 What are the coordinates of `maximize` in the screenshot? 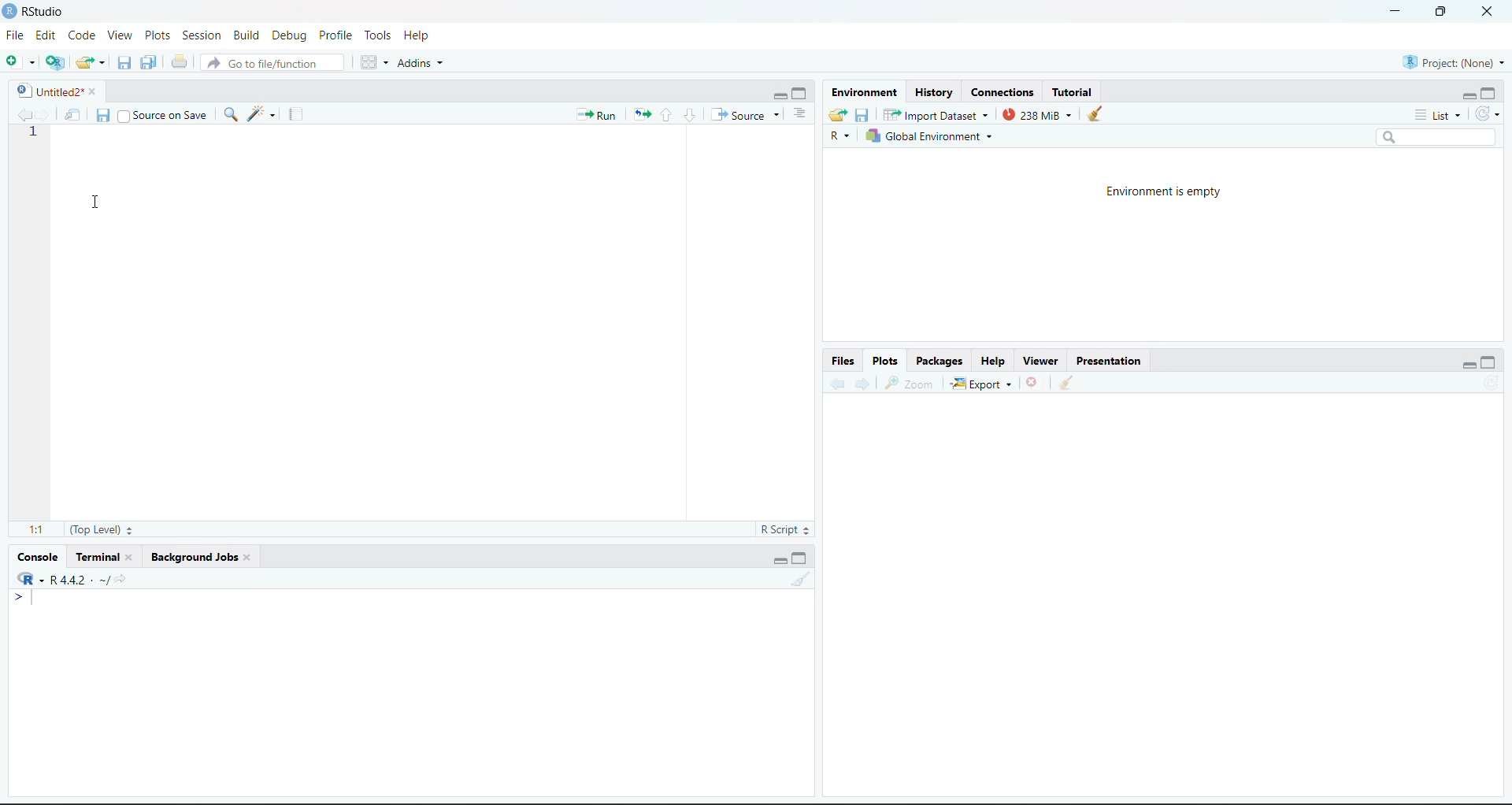 It's located at (801, 95).